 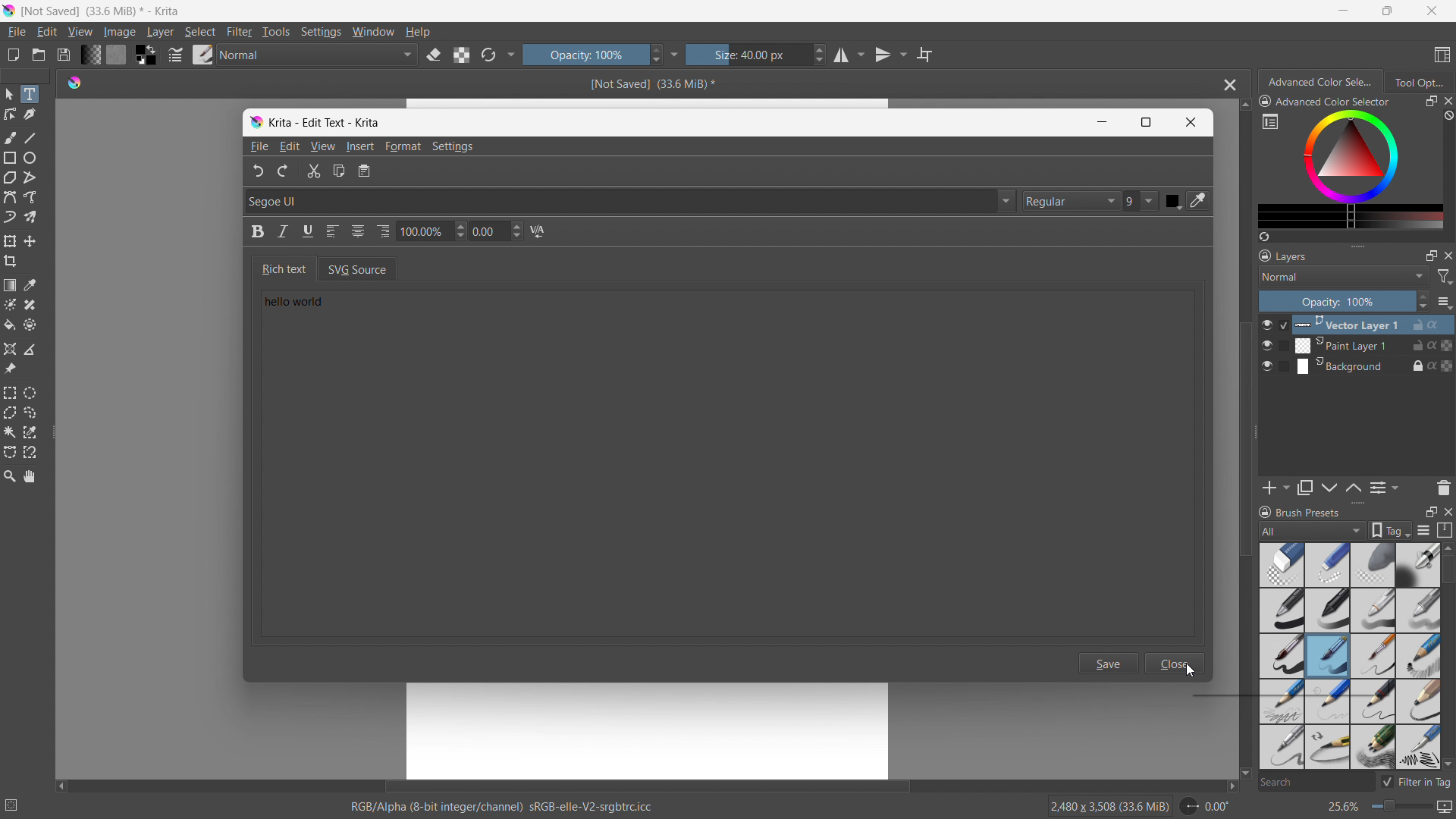 What do you see at coordinates (1430, 102) in the screenshot?
I see `maximize` at bounding box center [1430, 102].